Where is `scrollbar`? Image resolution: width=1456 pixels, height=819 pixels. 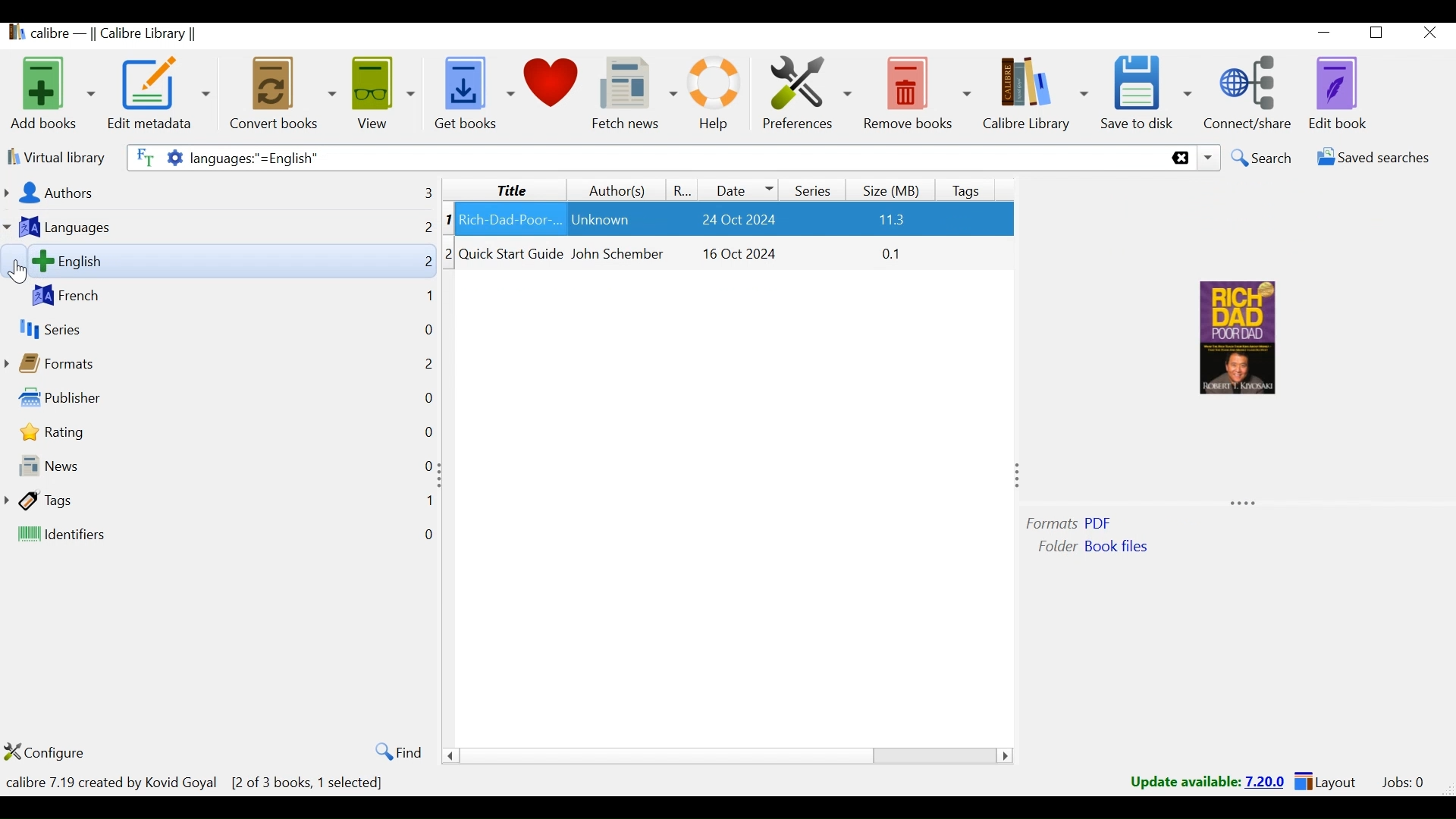 scrollbar is located at coordinates (733, 756).